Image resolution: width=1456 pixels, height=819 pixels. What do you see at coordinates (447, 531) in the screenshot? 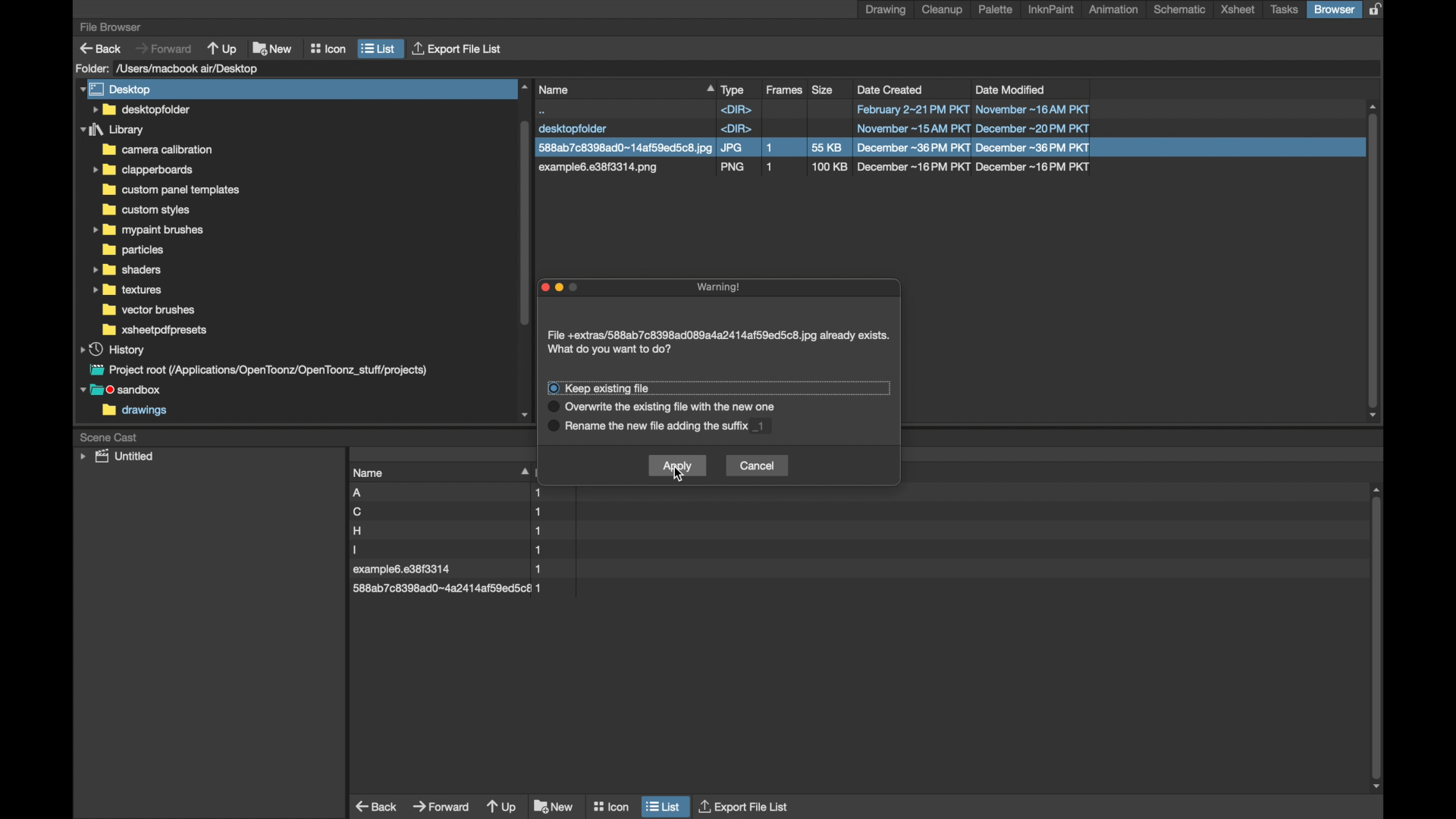
I see `file` at bounding box center [447, 531].